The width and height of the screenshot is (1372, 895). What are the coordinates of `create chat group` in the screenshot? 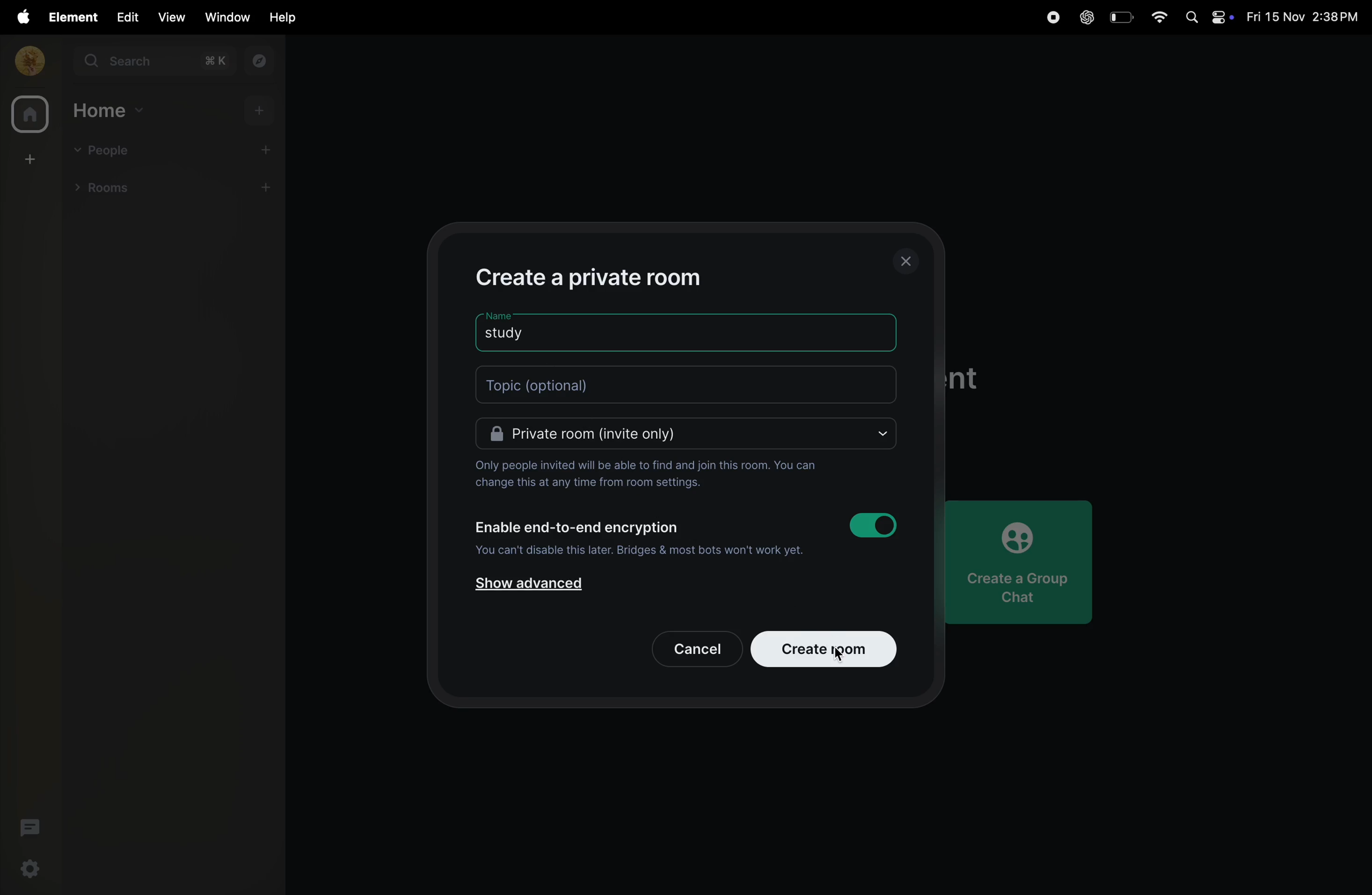 It's located at (1020, 563).